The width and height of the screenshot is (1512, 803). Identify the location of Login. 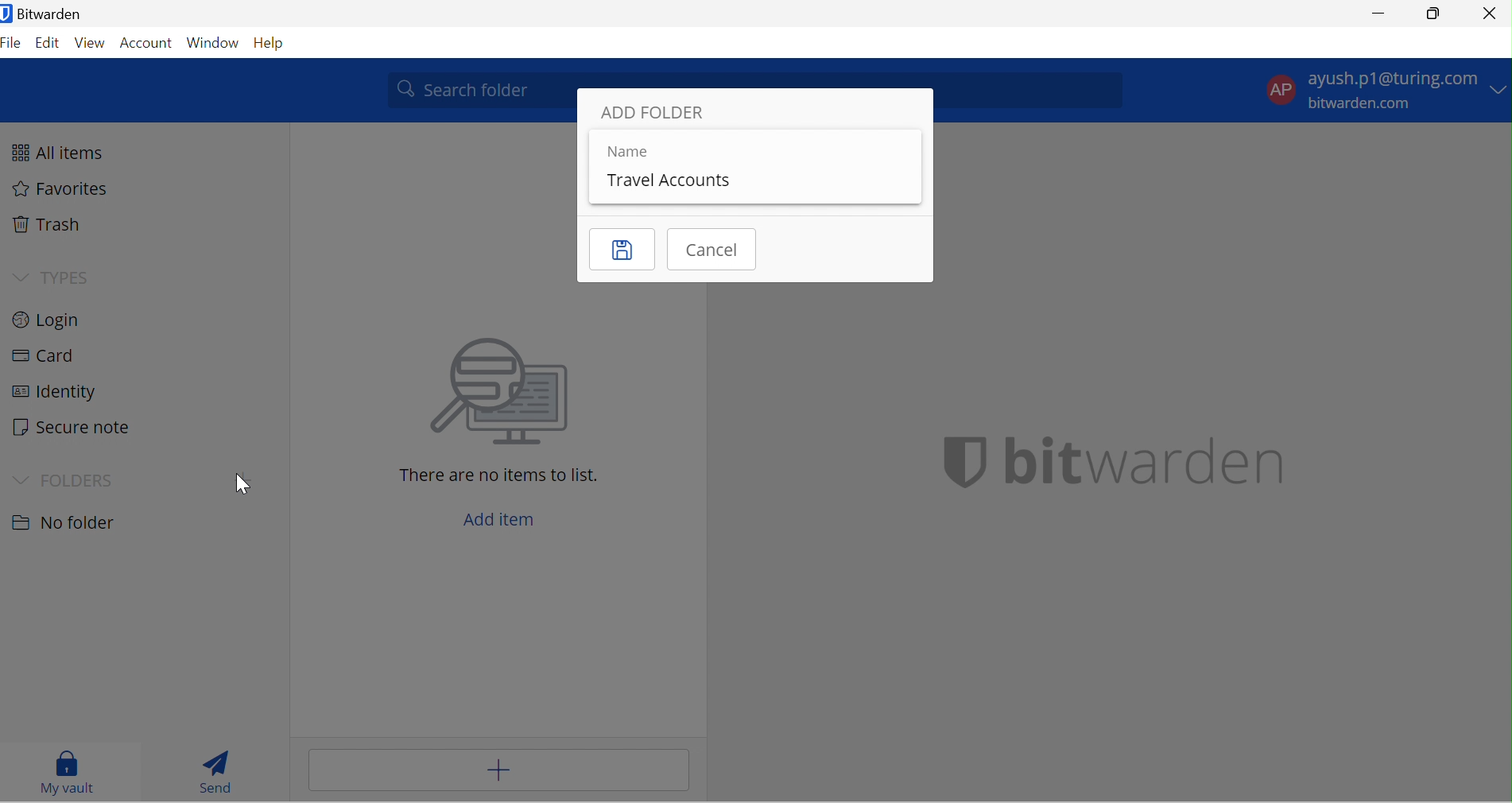
(54, 321).